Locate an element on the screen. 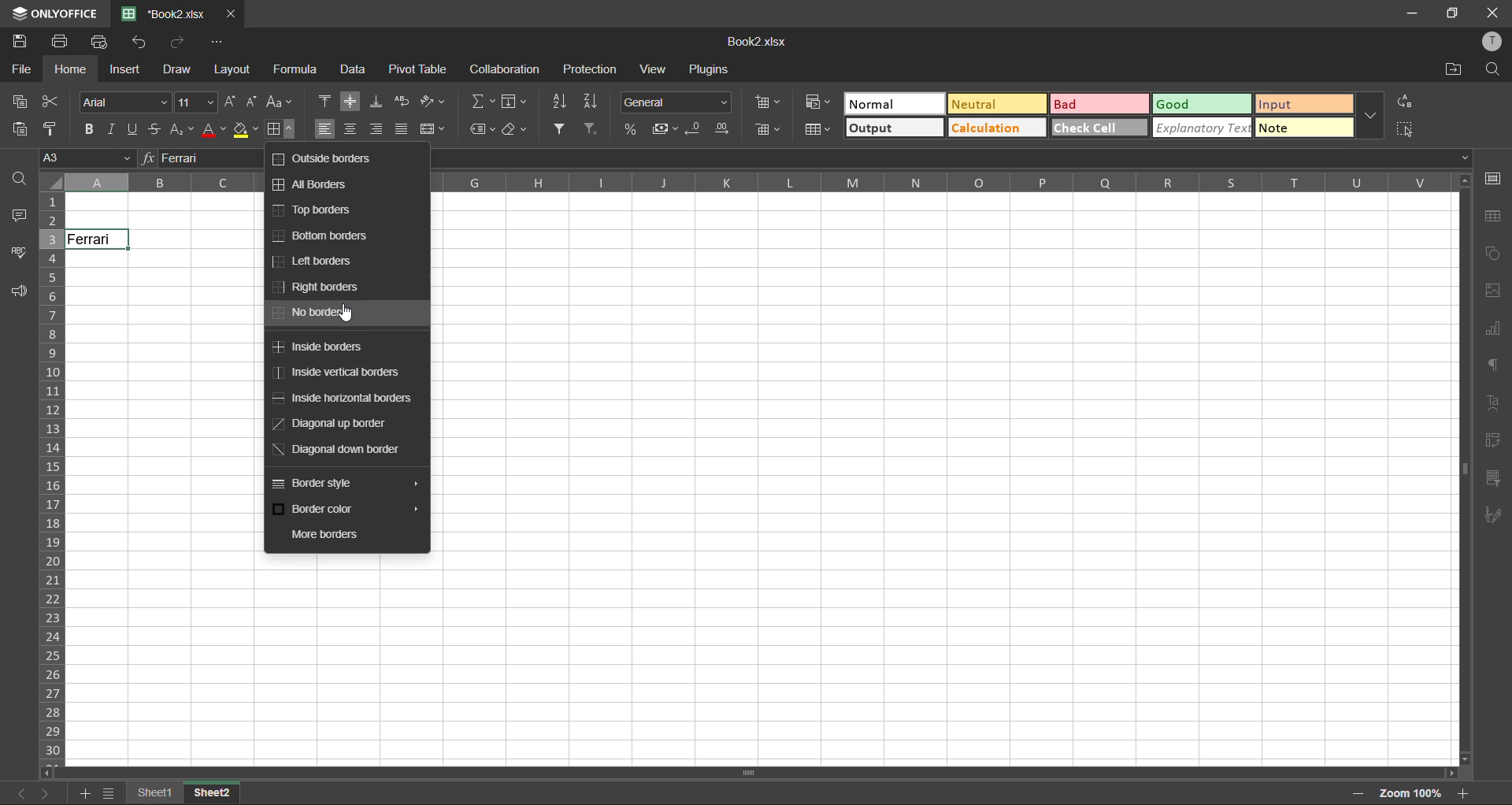  diagonal up border is located at coordinates (339, 425).